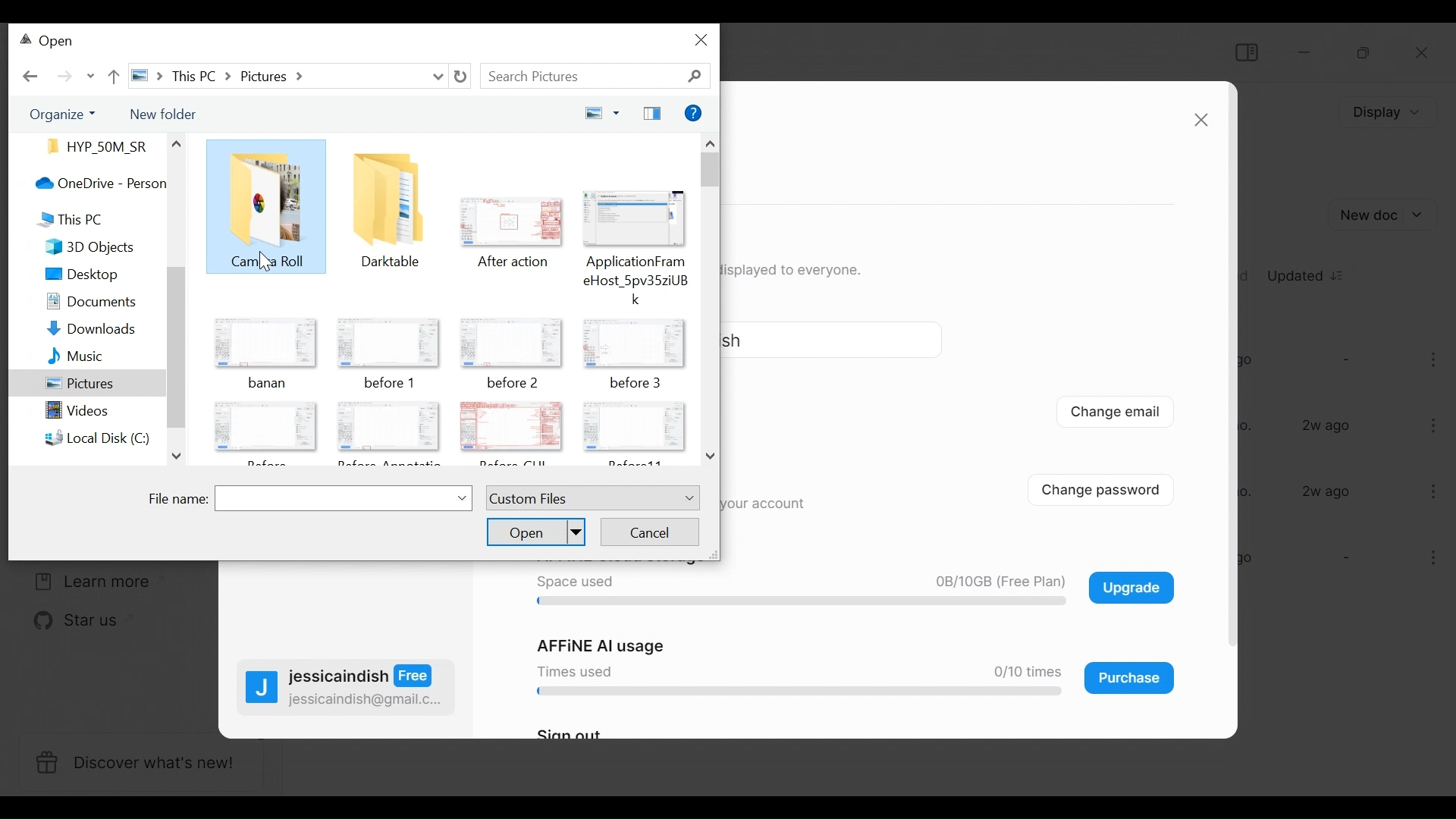  Describe the element at coordinates (112, 75) in the screenshot. I see `Parent` at that location.